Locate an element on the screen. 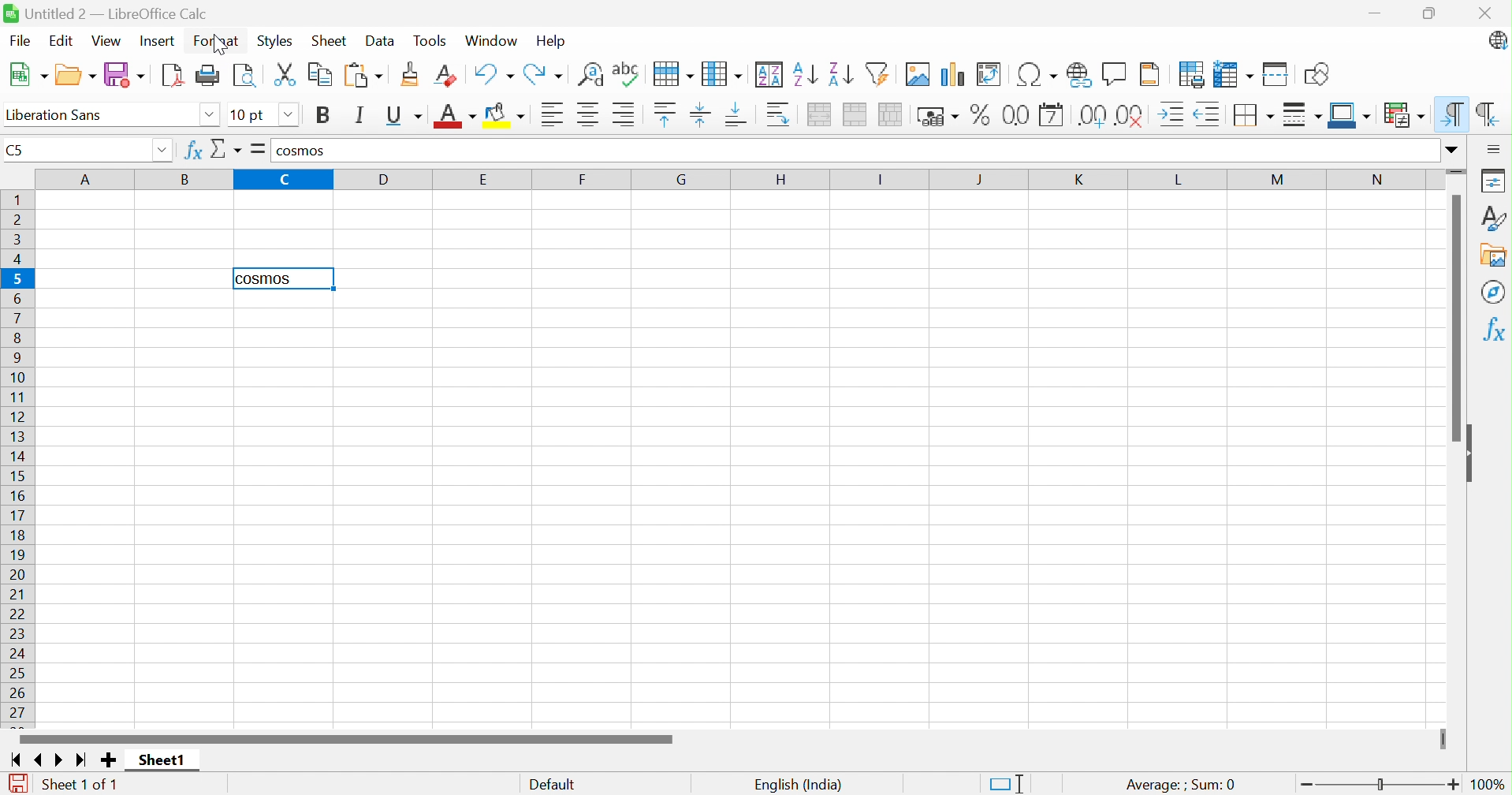  Copy is located at coordinates (319, 73).